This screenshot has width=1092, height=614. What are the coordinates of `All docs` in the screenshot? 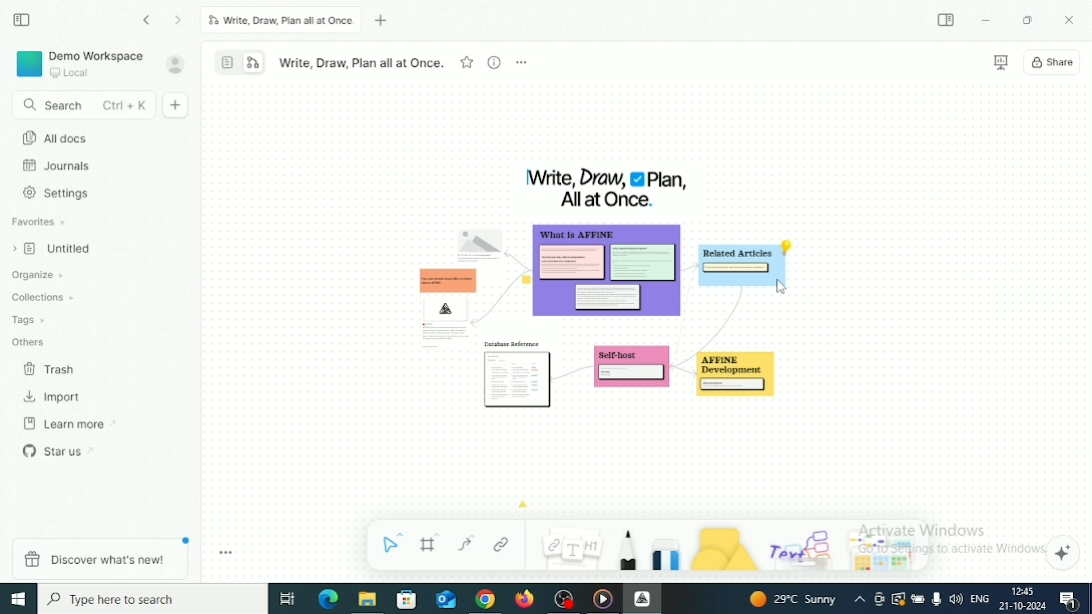 It's located at (55, 138).